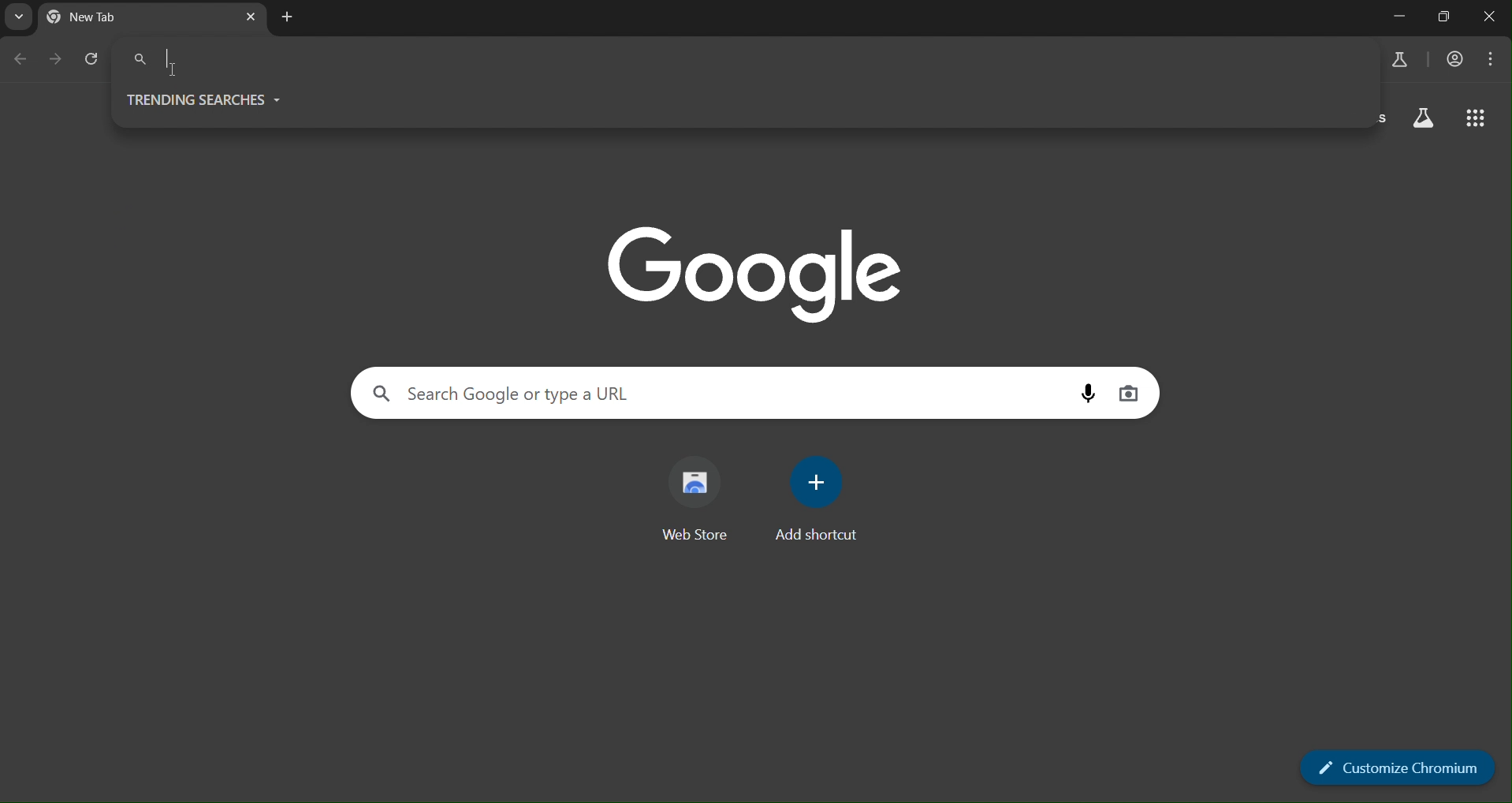 This screenshot has width=1512, height=803. What do you see at coordinates (1130, 391) in the screenshot?
I see `image search` at bounding box center [1130, 391].